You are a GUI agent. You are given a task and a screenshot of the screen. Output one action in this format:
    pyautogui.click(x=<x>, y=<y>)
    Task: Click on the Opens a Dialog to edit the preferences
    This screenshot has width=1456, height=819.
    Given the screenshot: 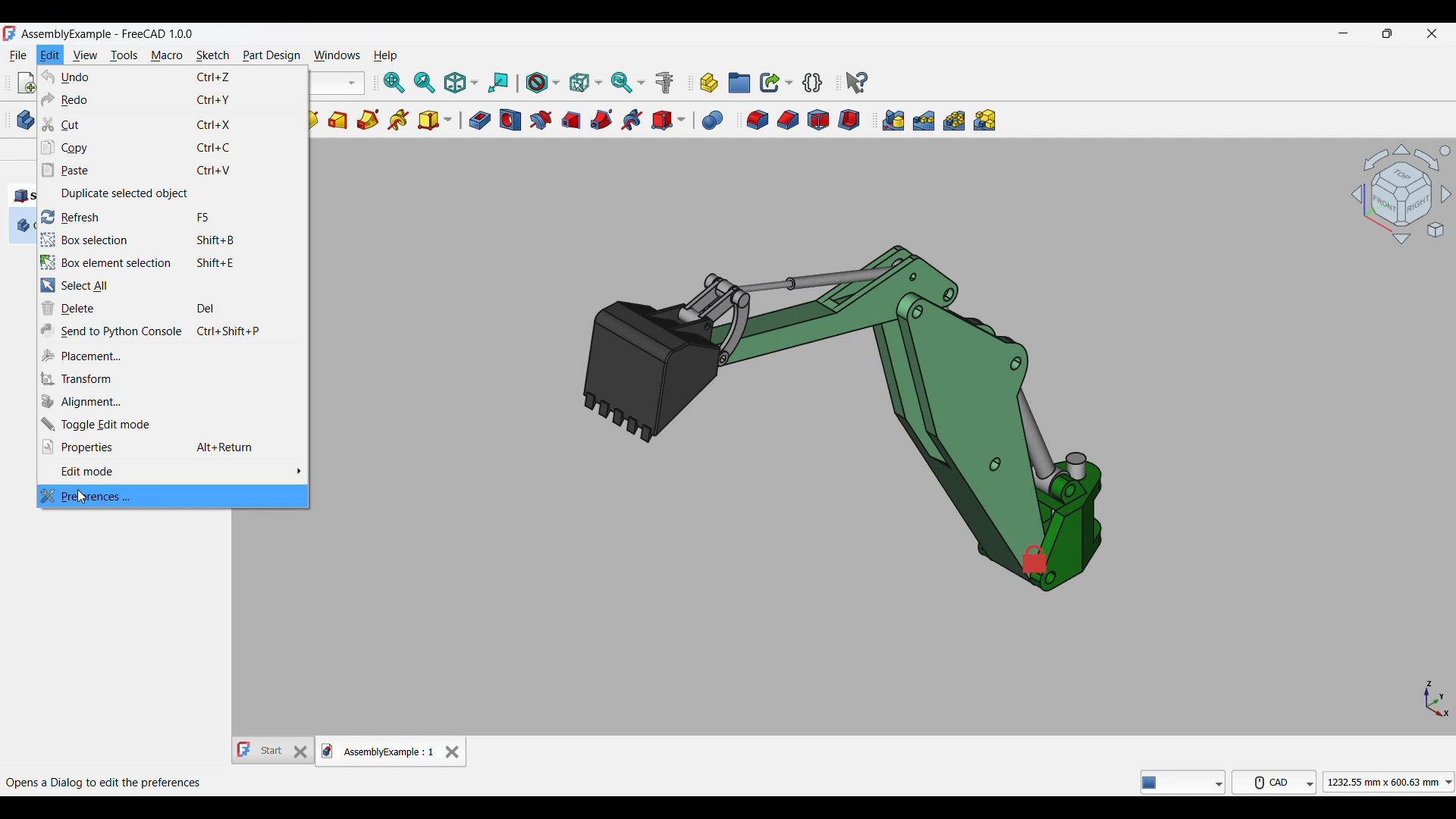 What is the action you would take?
    pyautogui.click(x=104, y=783)
    